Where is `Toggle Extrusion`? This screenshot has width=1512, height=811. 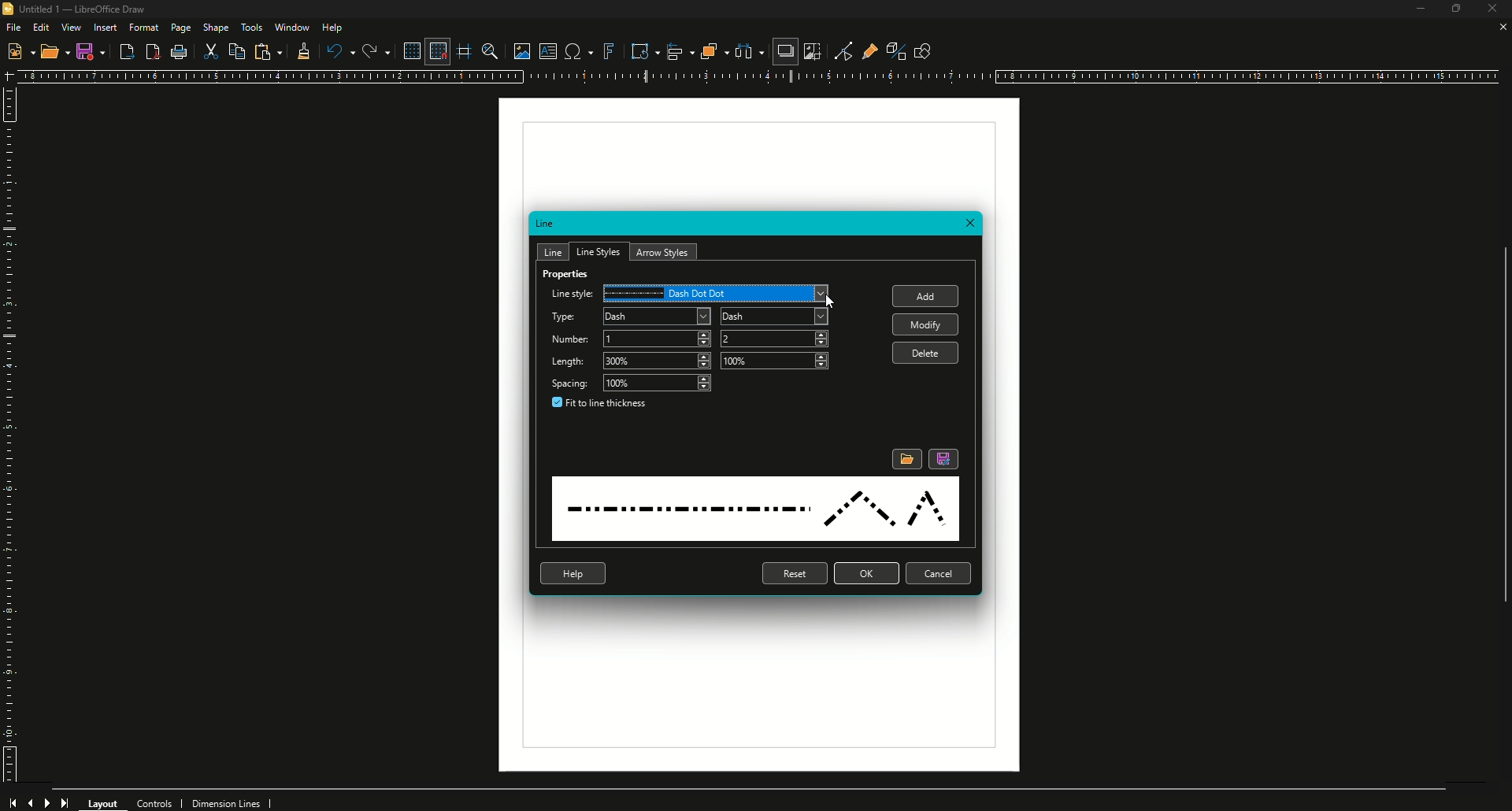 Toggle Extrusion is located at coordinates (890, 49).